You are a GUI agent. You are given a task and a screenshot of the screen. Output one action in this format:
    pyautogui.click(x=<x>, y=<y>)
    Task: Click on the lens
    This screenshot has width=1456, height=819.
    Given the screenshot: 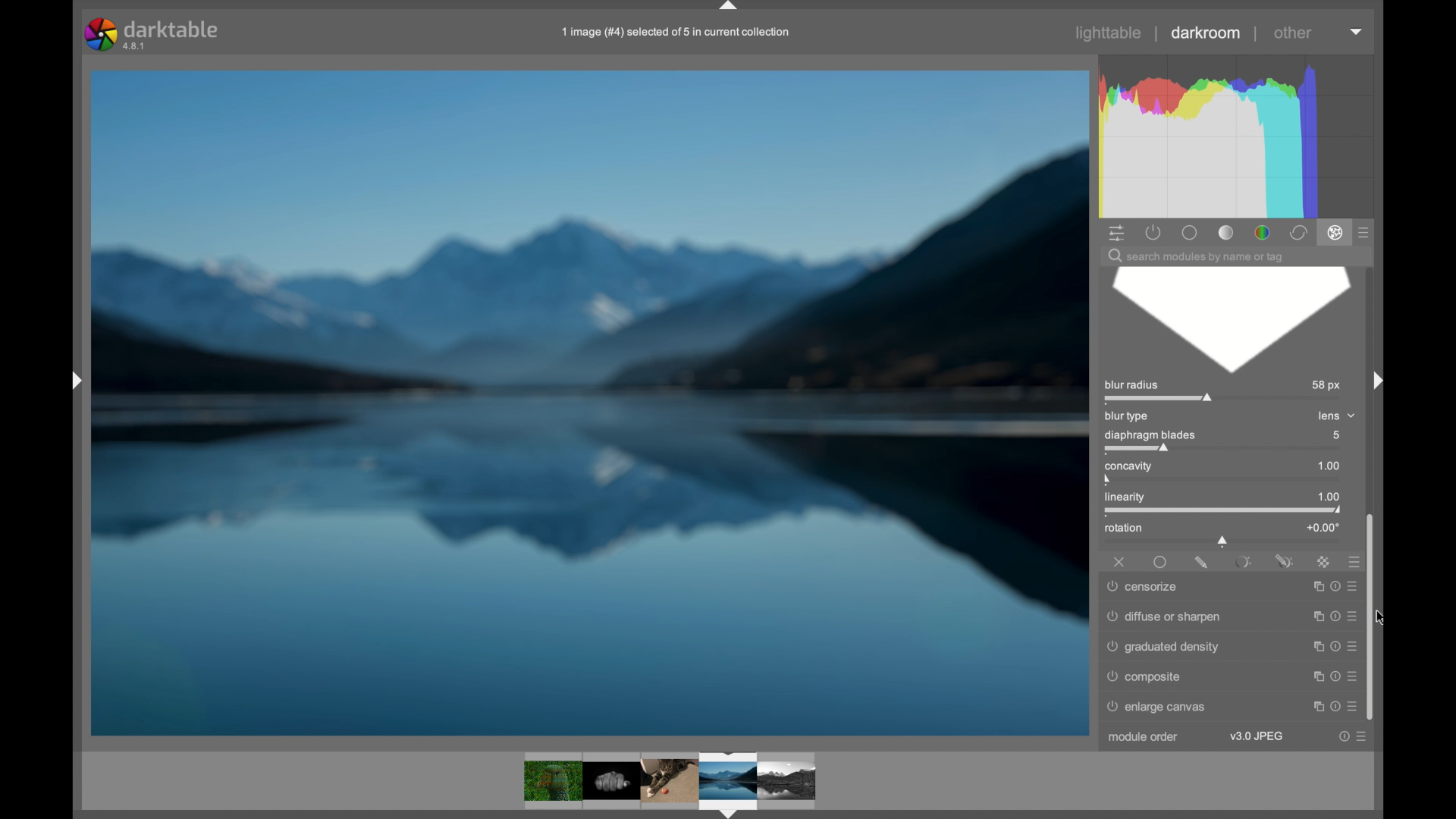 What is the action you would take?
    pyautogui.click(x=1331, y=415)
    